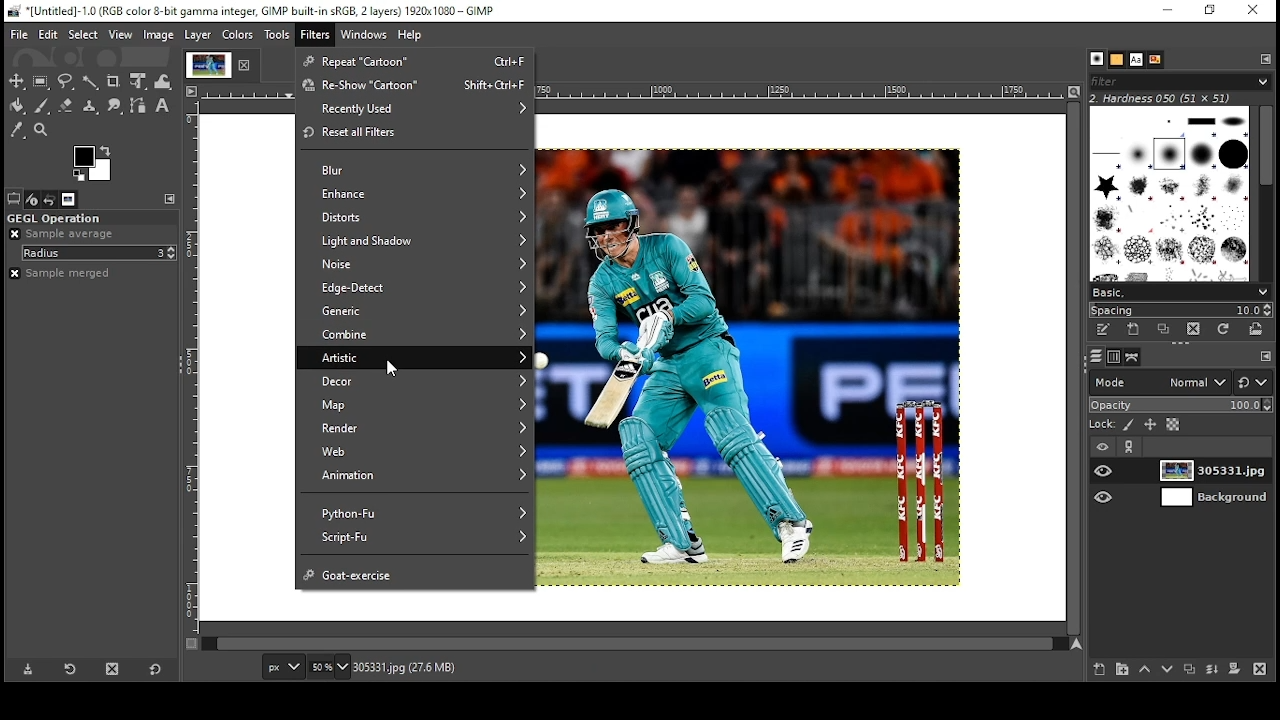  What do you see at coordinates (1194, 328) in the screenshot?
I see `delete this brush` at bounding box center [1194, 328].